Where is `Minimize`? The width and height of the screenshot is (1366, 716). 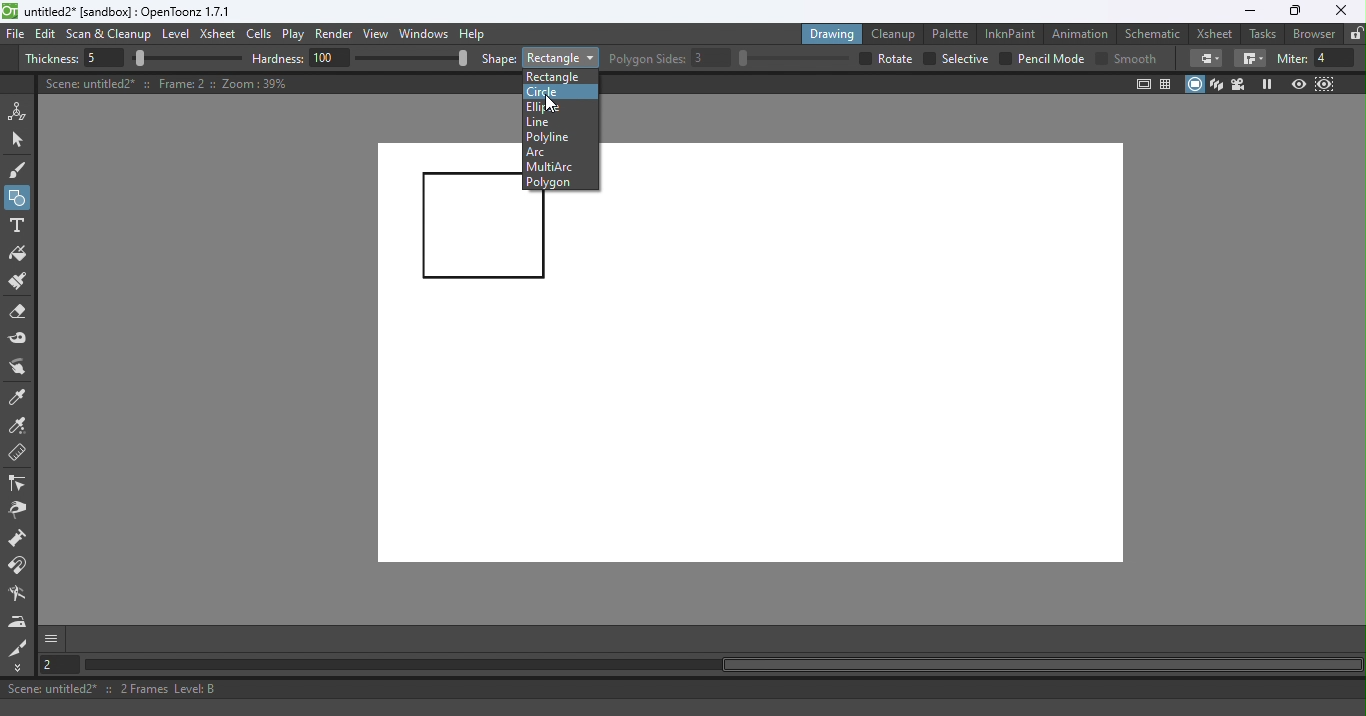 Minimize is located at coordinates (1249, 11).